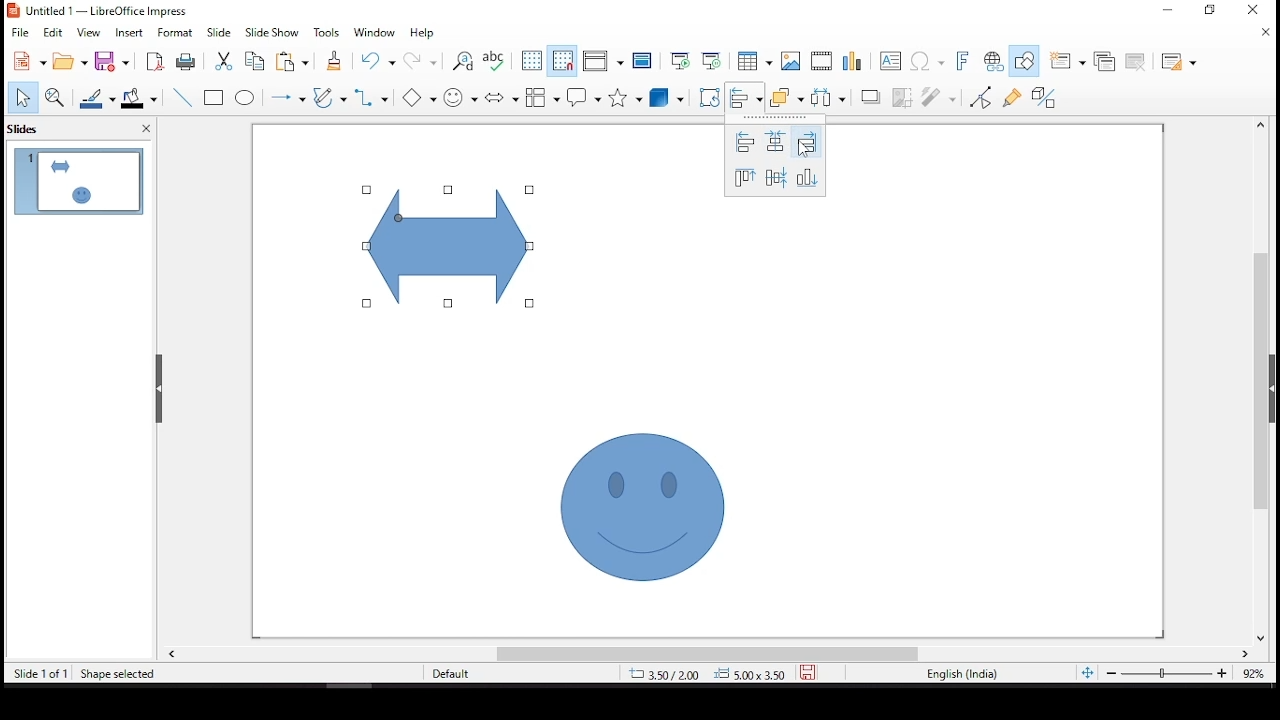 This screenshot has width=1280, height=720. I want to click on open, so click(71, 62).